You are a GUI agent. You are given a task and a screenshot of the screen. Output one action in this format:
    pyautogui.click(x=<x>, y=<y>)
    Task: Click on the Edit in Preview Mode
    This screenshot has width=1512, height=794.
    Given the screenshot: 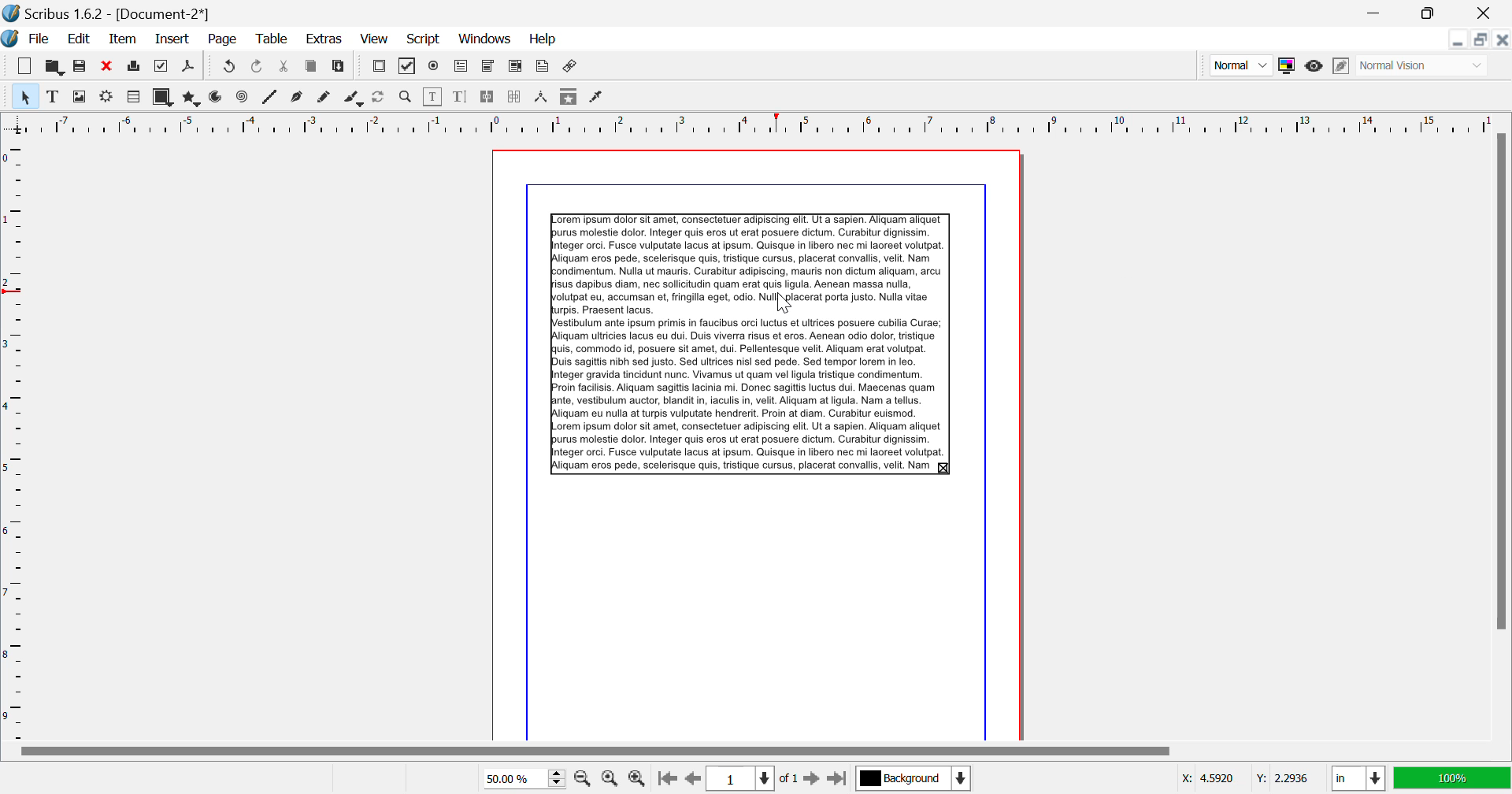 What is the action you would take?
    pyautogui.click(x=1343, y=66)
    